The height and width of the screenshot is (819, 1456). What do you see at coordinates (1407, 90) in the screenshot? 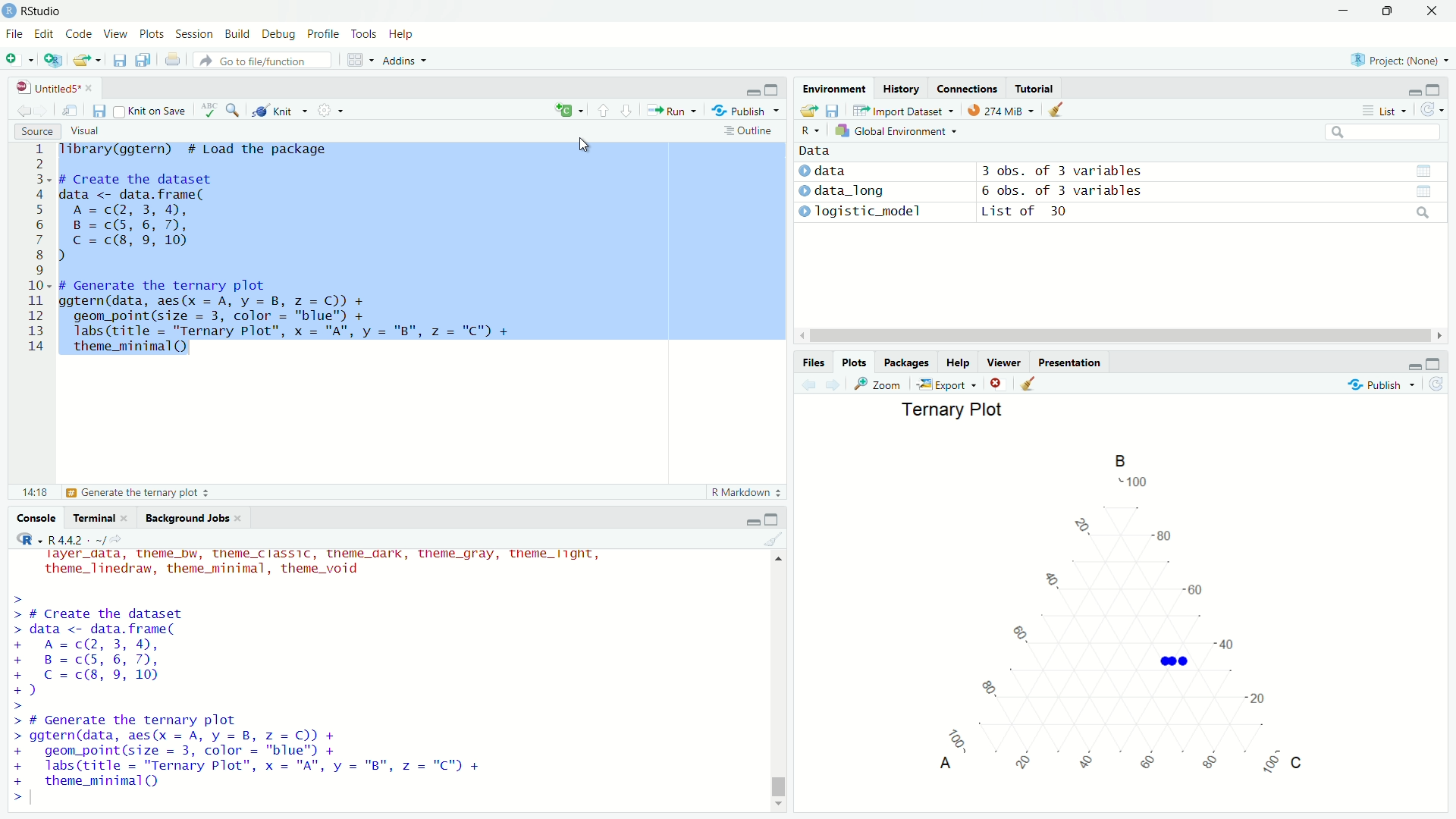
I see `minimise` at bounding box center [1407, 90].